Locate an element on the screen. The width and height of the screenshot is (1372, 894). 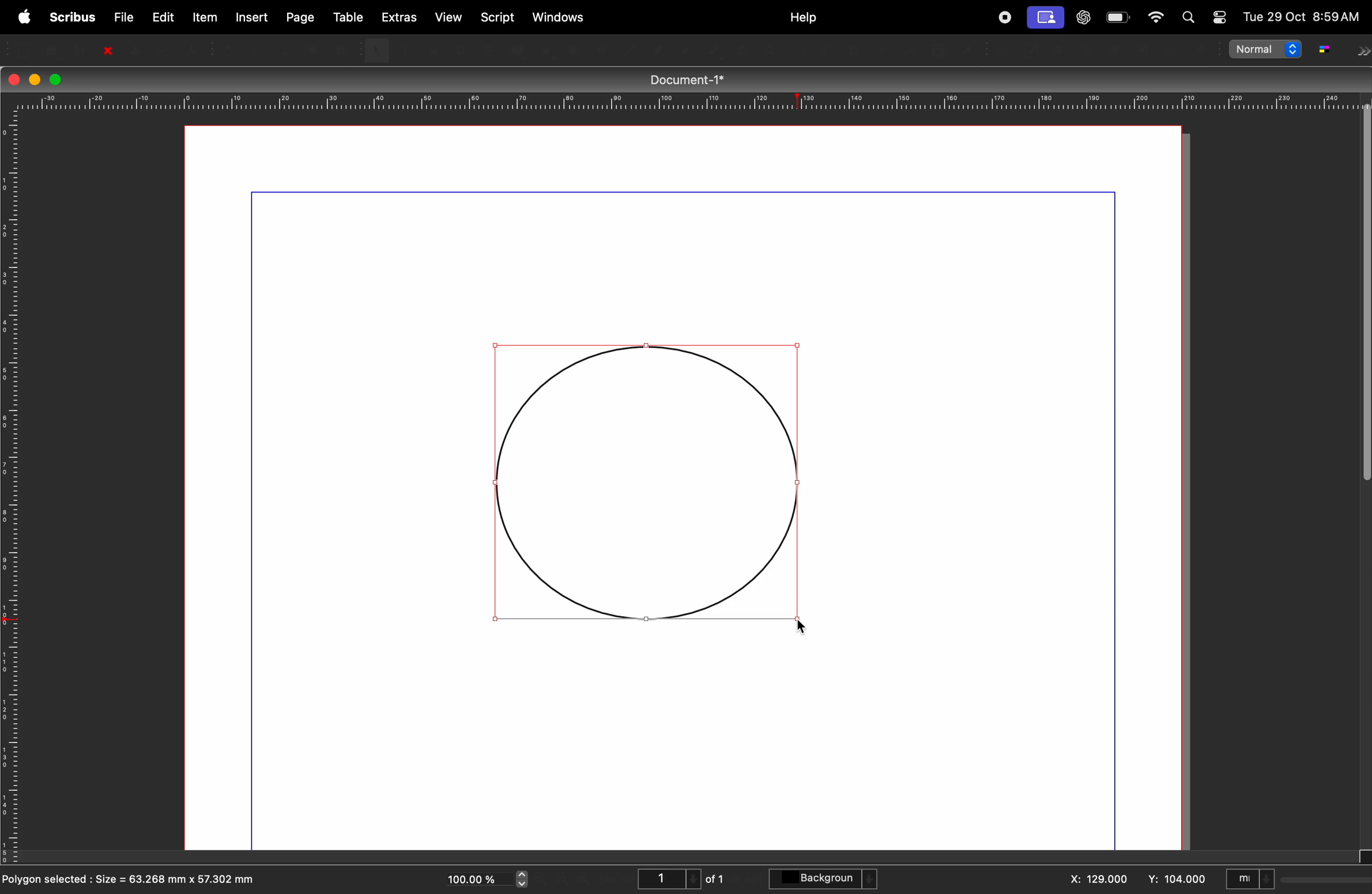
next is located at coordinates (1362, 52).